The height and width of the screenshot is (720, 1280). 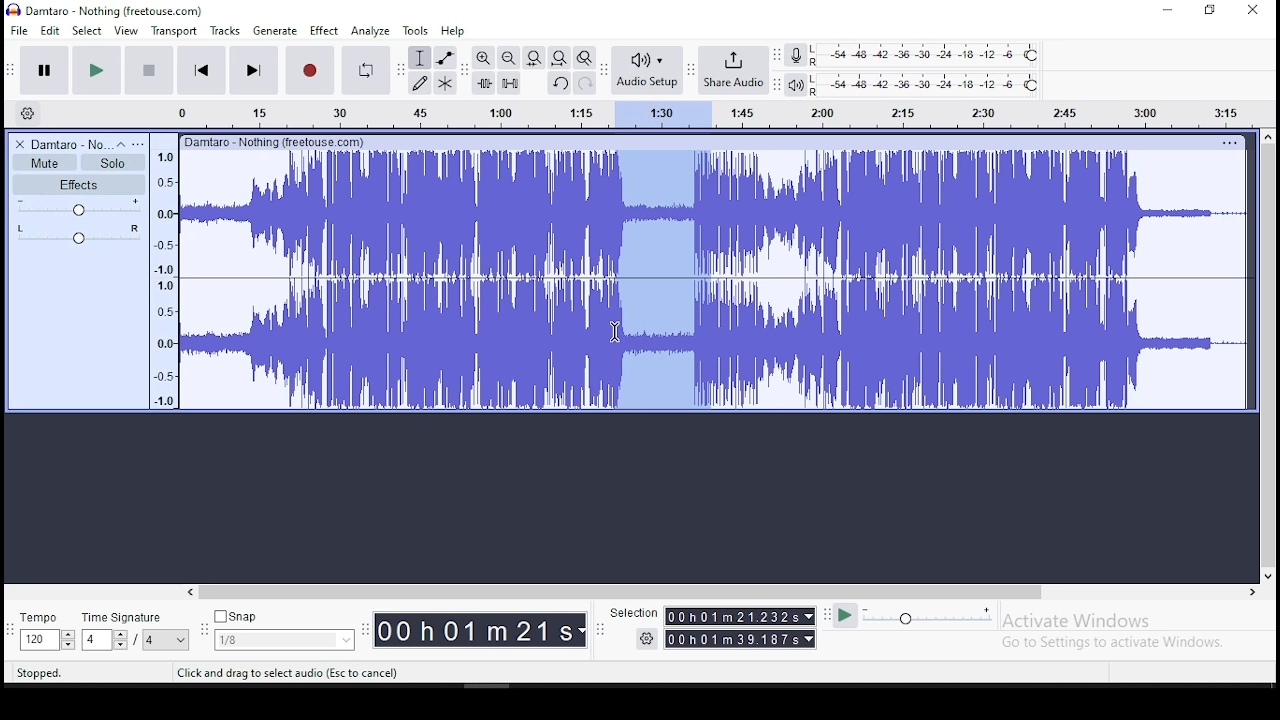 What do you see at coordinates (926, 85) in the screenshot?
I see `playback level` at bounding box center [926, 85].